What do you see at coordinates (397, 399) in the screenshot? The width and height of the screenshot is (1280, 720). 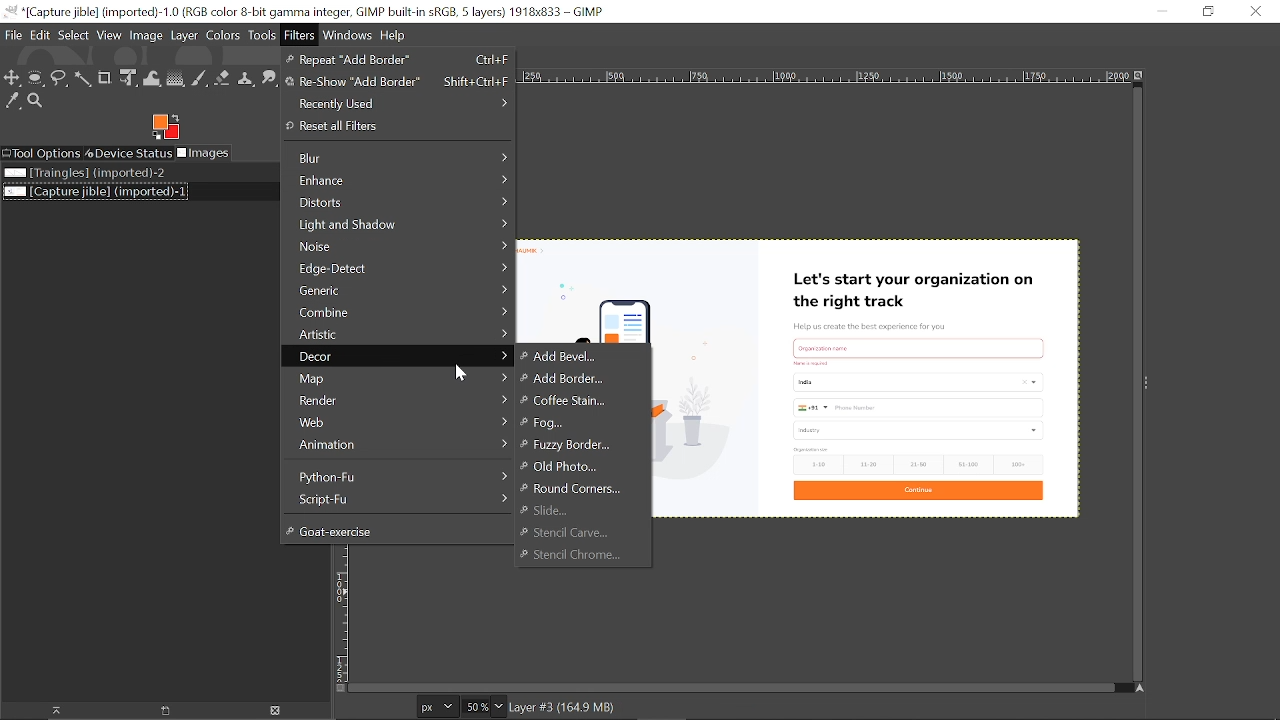 I see `Render` at bounding box center [397, 399].